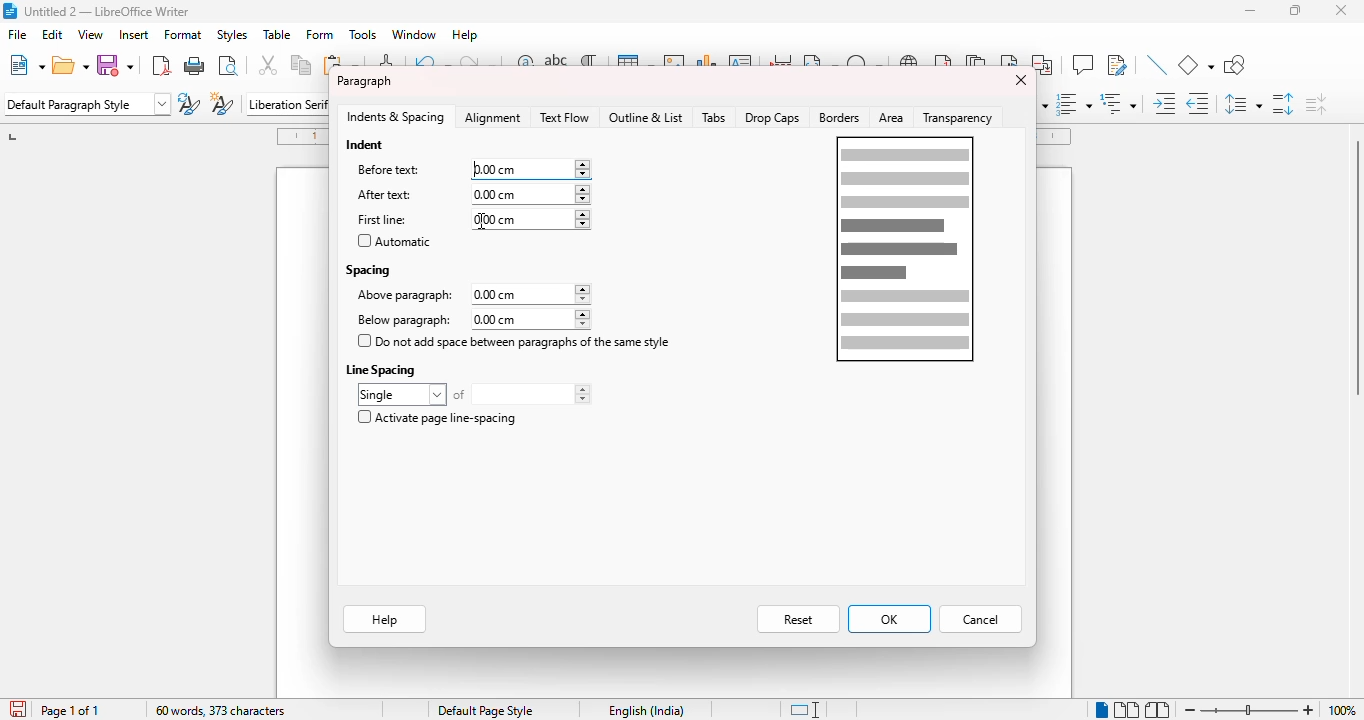 The width and height of the screenshot is (1364, 720). I want to click on decrease indent, so click(1199, 103).